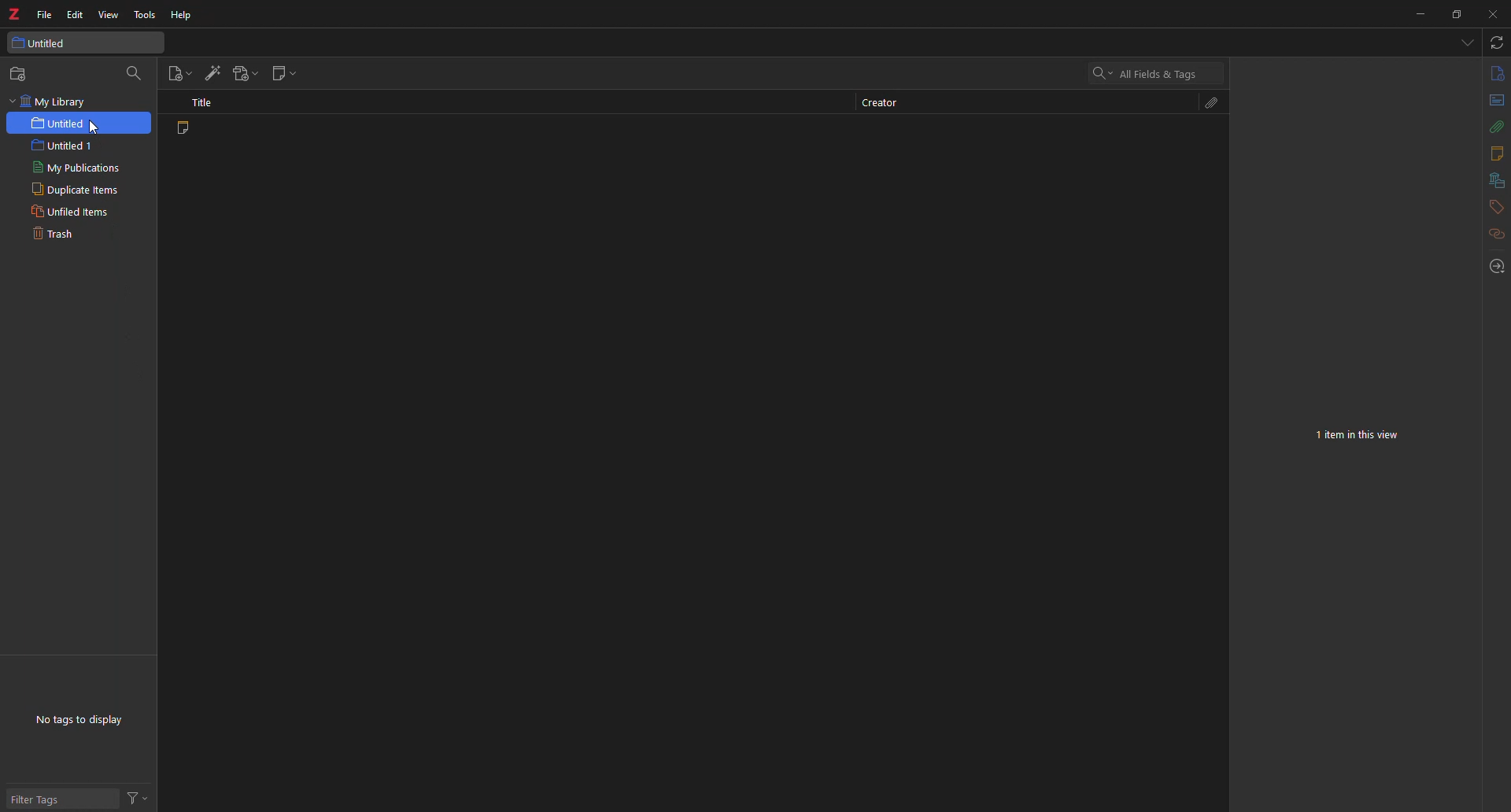  What do you see at coordinates (1495, 15) in the screenshot?
I see `close` at bounding box center [1495, 15].